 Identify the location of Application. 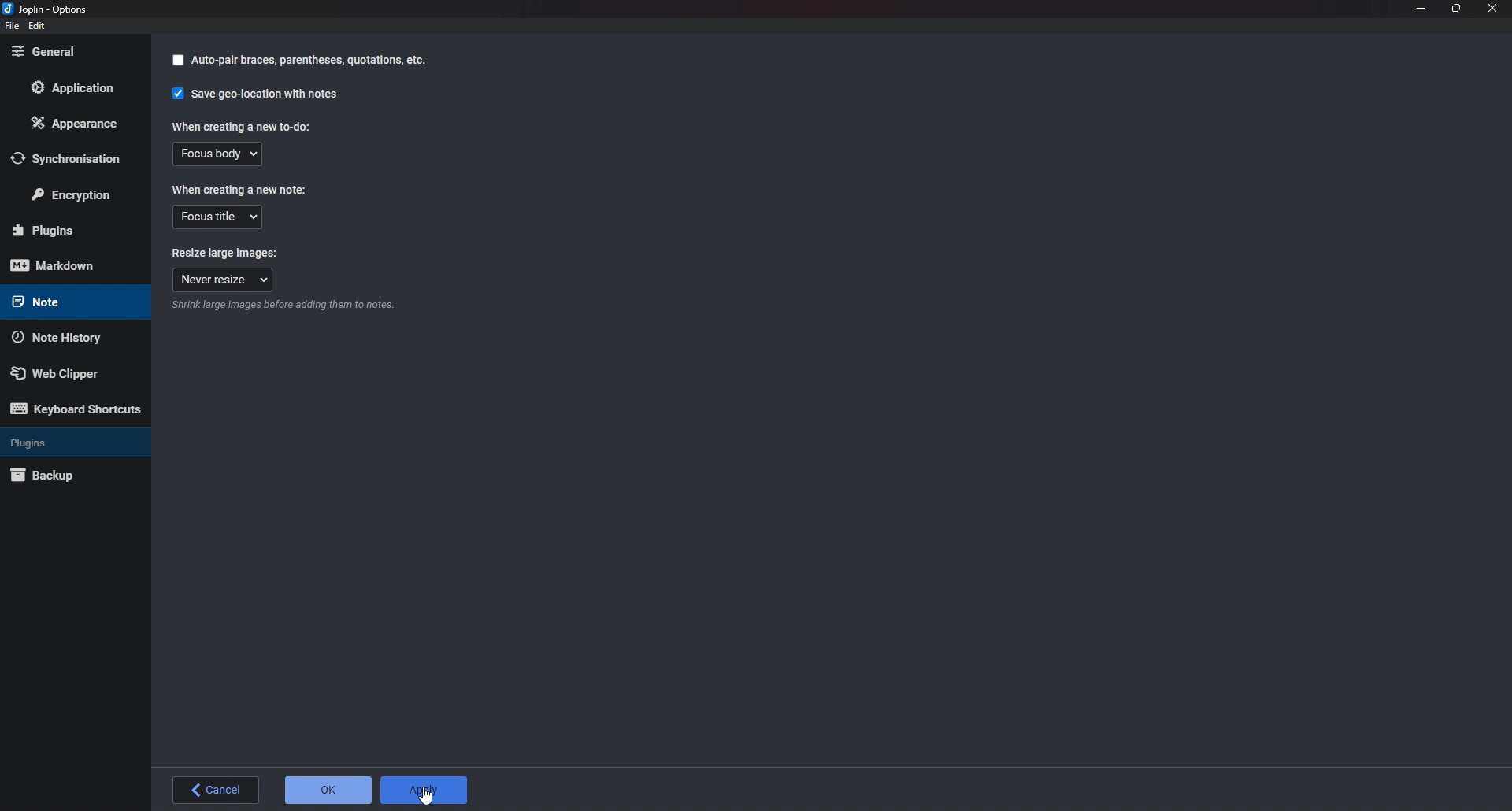
(78, 90).